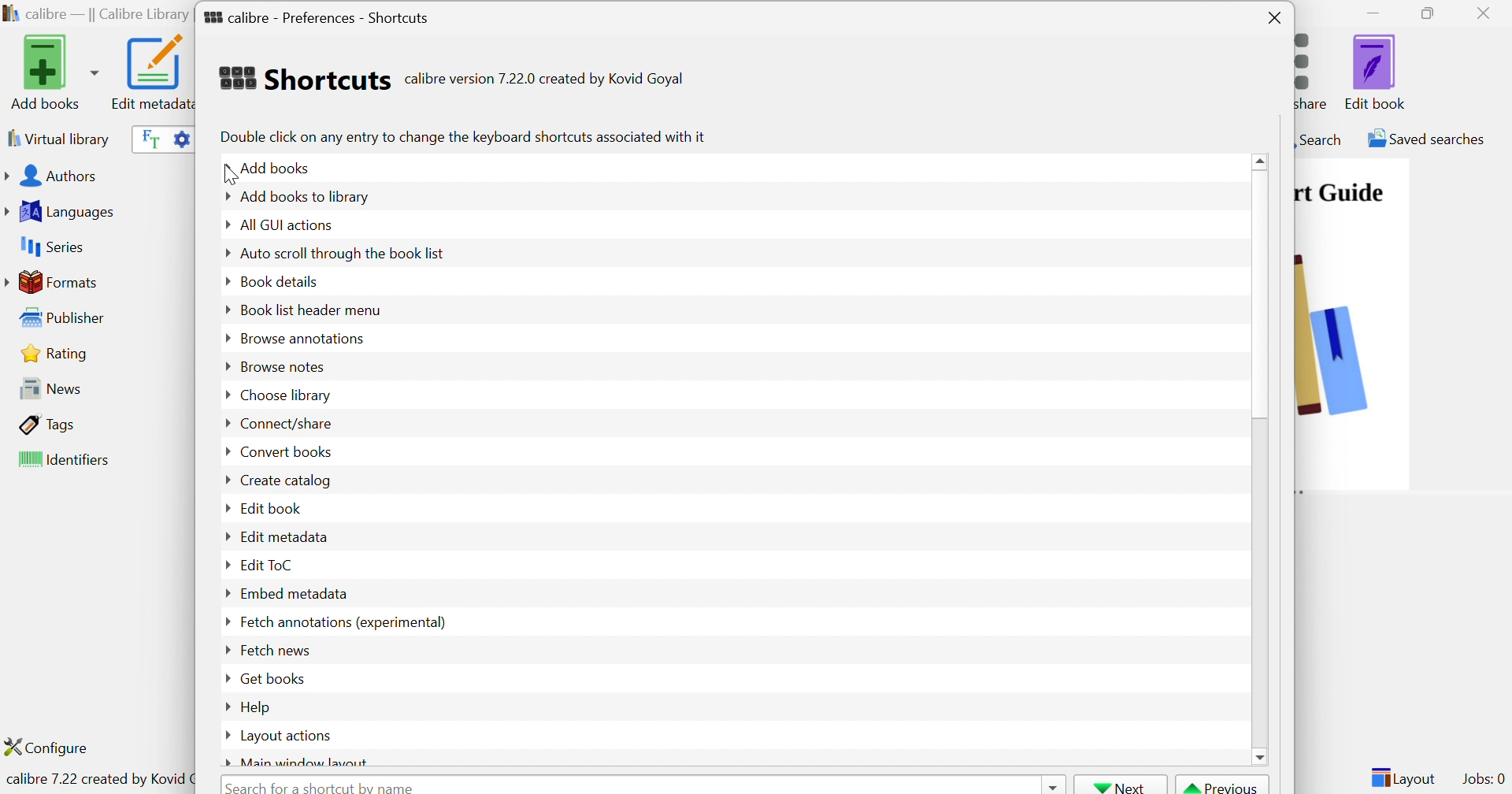 This screenshot has width=1512, height=794. Describe the element at coordinates (48, 424) in the screenshot. I see `Tags` at that location.